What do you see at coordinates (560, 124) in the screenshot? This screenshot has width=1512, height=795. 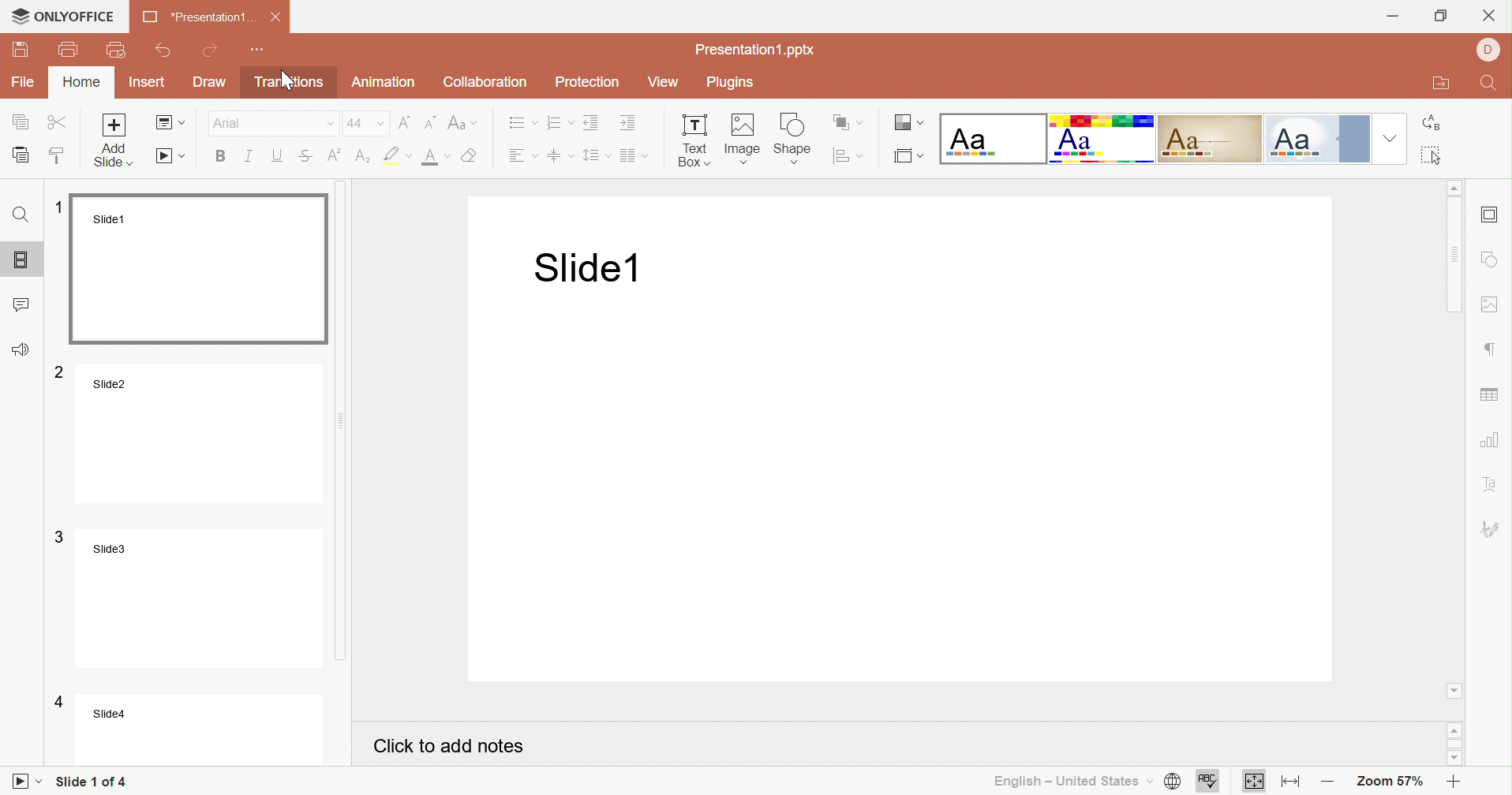 I see `Numbering` at bounding box center [560, 124].